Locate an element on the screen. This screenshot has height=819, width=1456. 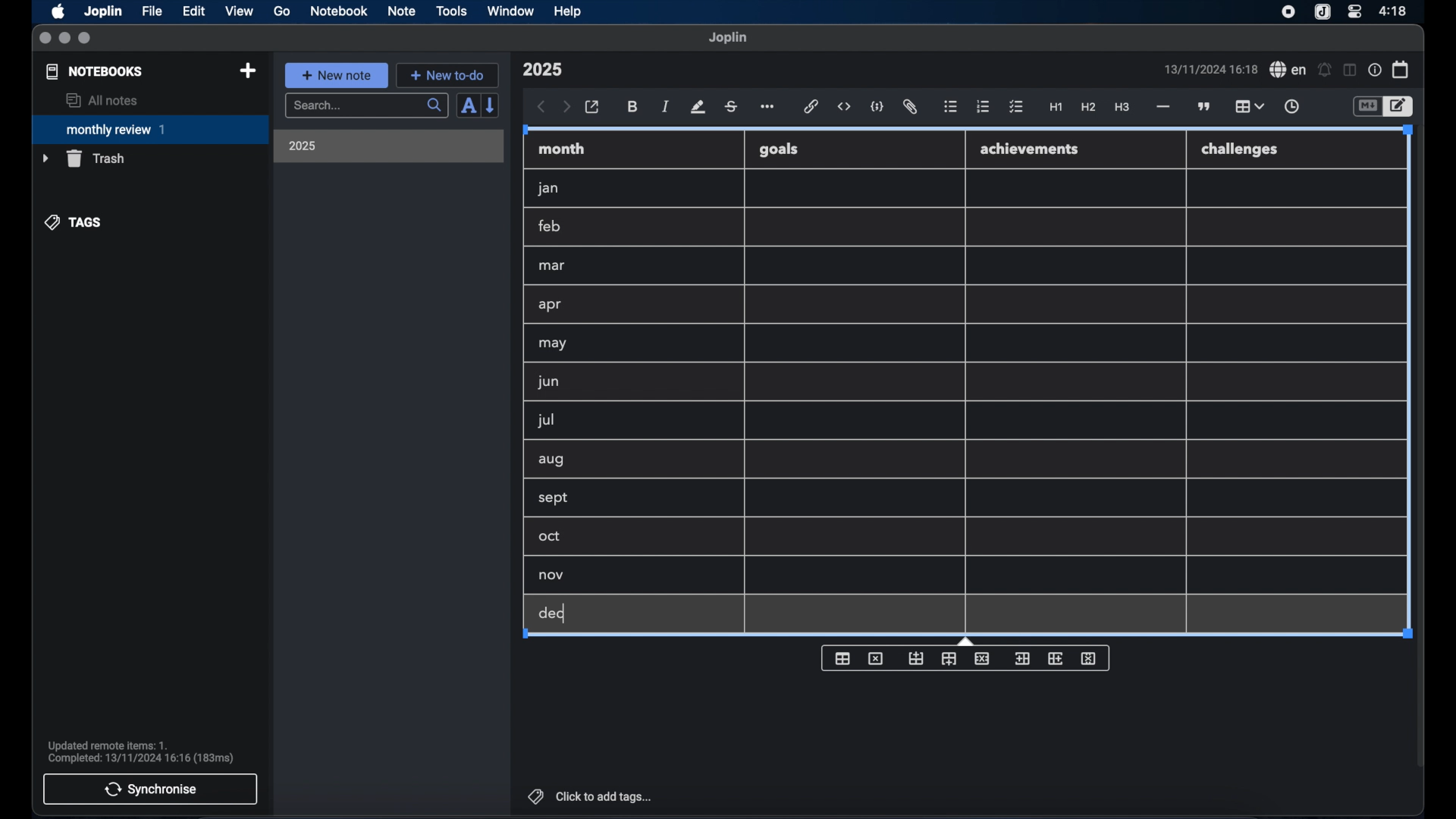
toggle editor is located at coordinates (1367, 107).